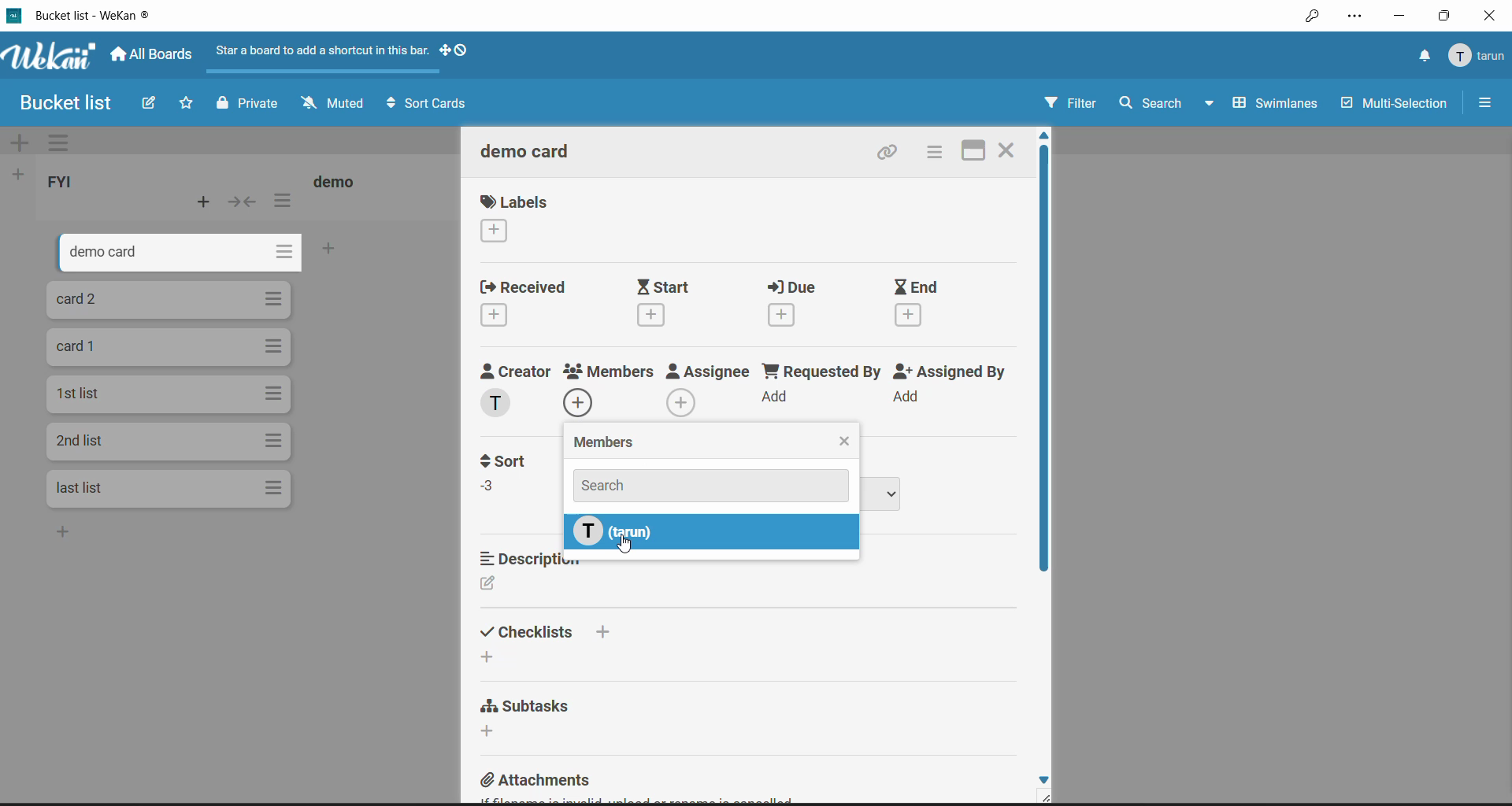 This screenshot has height=806, width=1512. Describe the element at coordinates (246, 103) in the screenshot. I see `private` at that location.